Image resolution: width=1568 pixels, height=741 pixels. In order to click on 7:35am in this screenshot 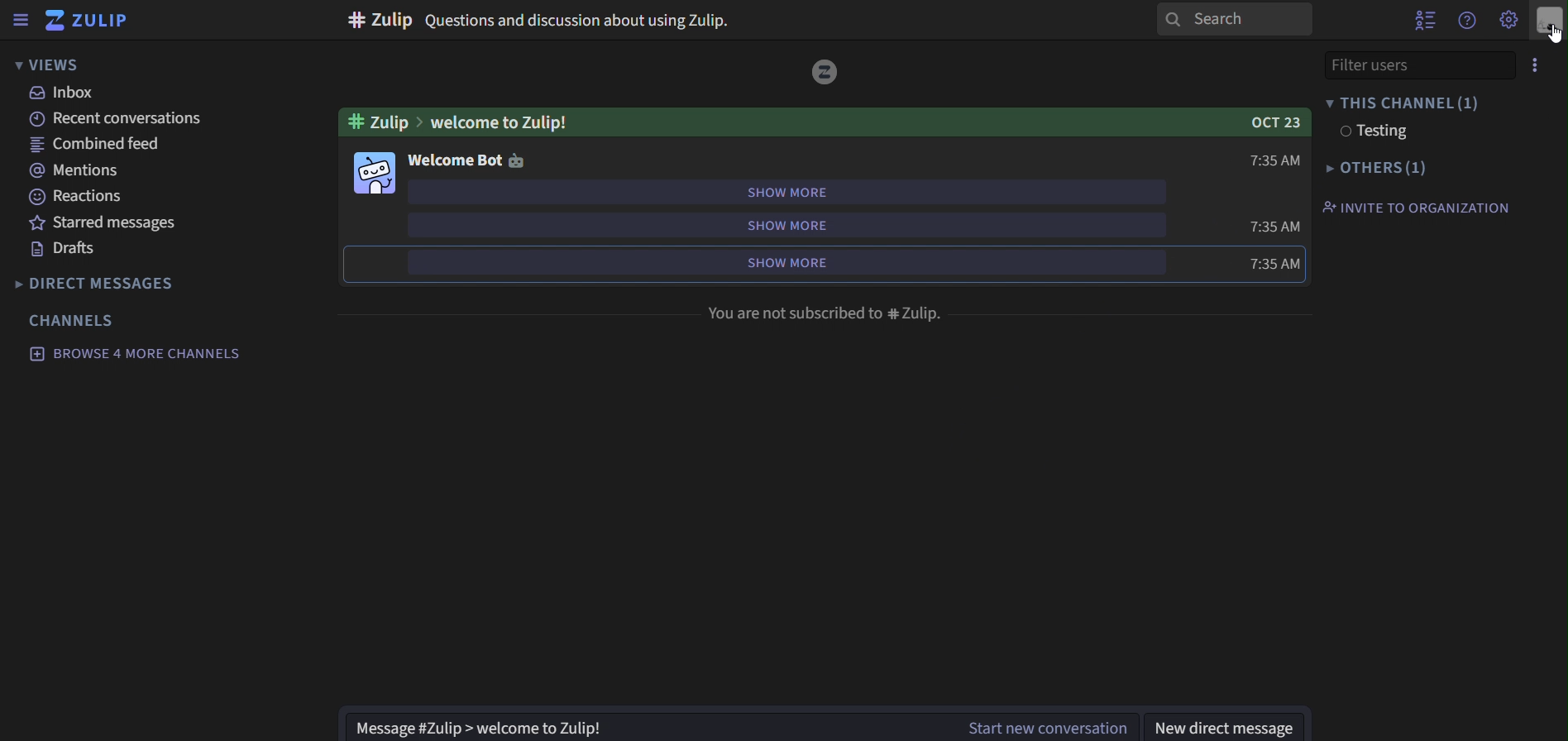, I will do `click(1276, 264)`.